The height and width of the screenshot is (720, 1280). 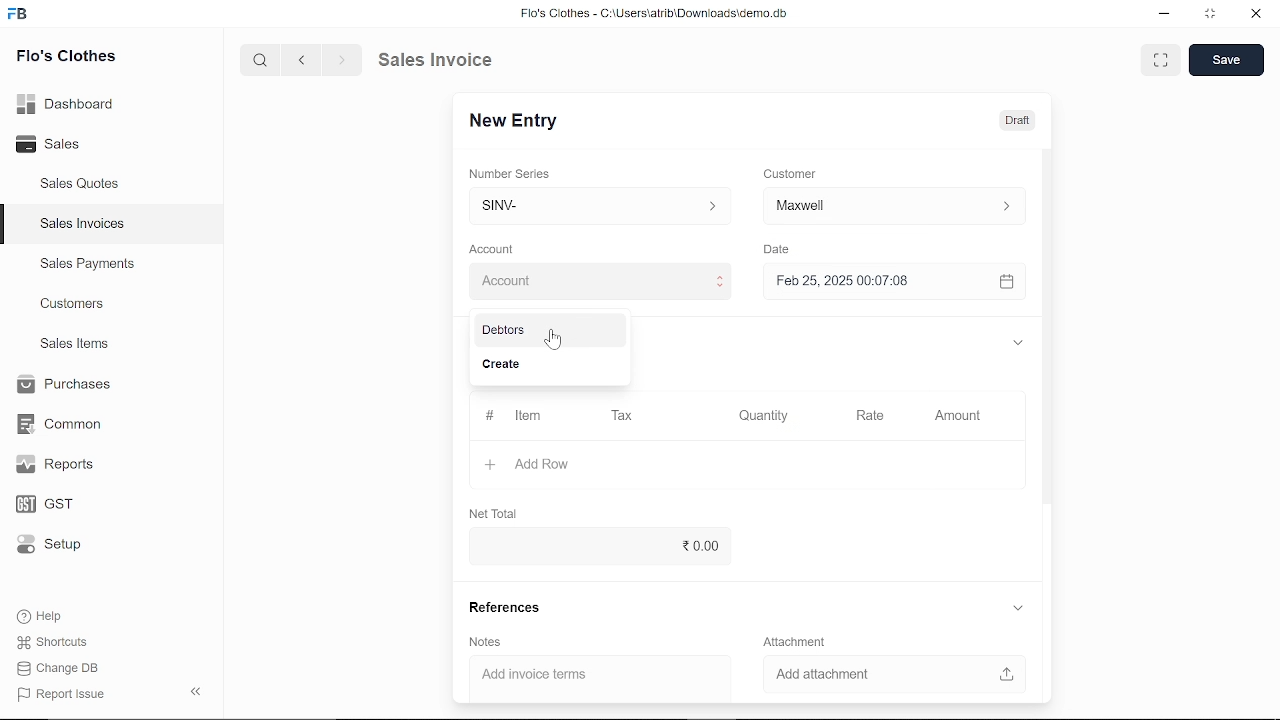 What do you see at coordinates (876, 282) in the screenshot?
I see `H Feb 25, 2025 00:07:08 ` at bounding box center [876, 282].